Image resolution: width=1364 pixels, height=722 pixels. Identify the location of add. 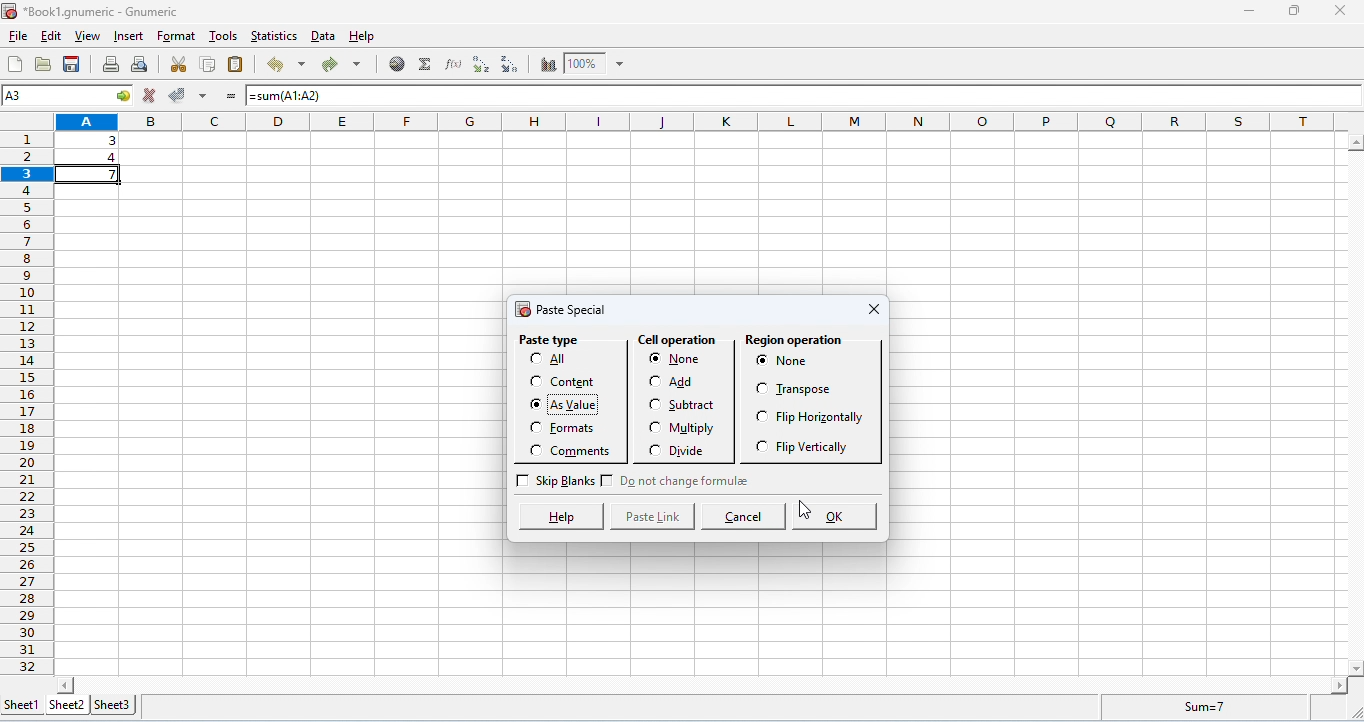
(688, 381).